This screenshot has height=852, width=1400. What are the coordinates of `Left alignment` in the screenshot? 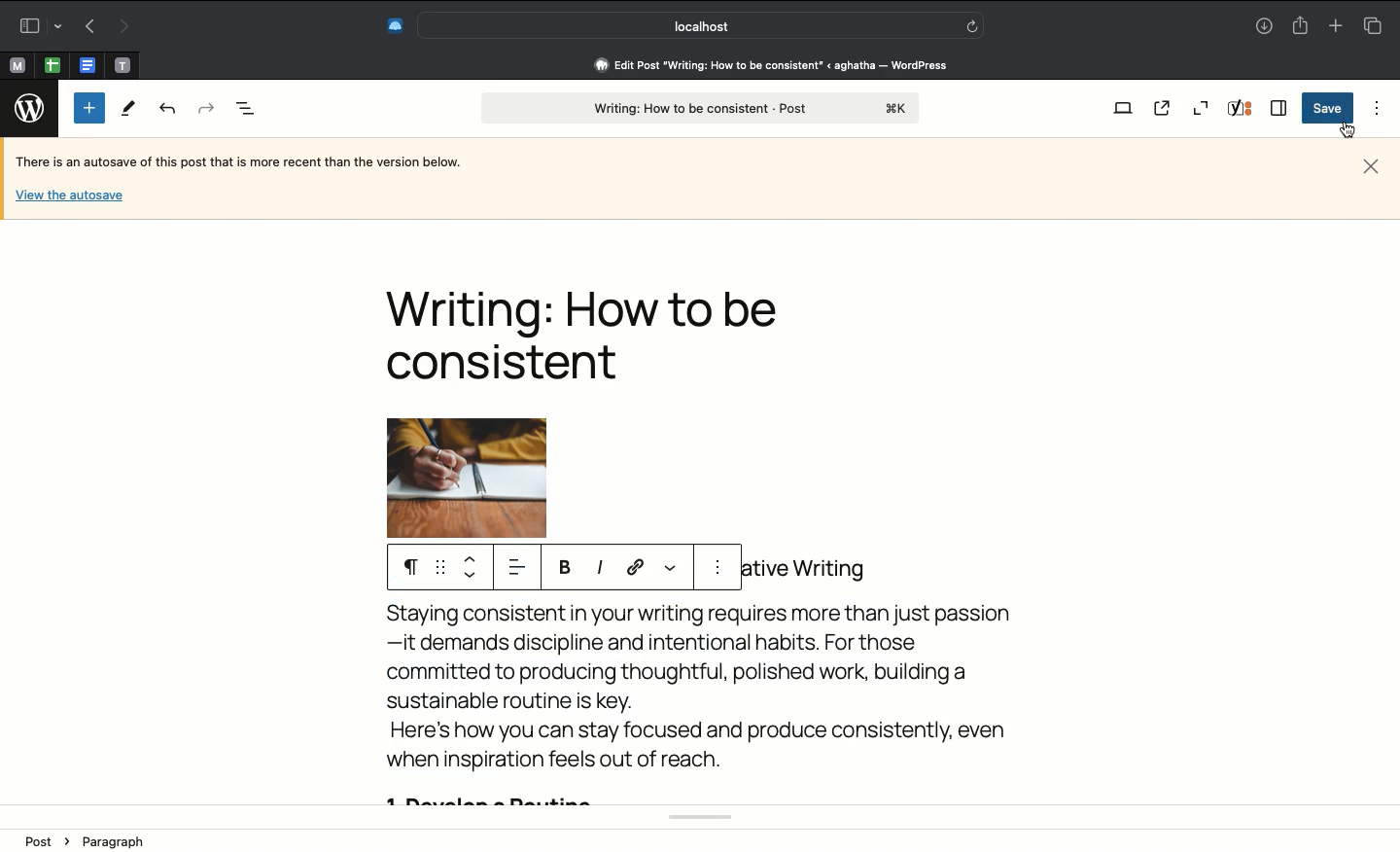 It's located at (515, 568).